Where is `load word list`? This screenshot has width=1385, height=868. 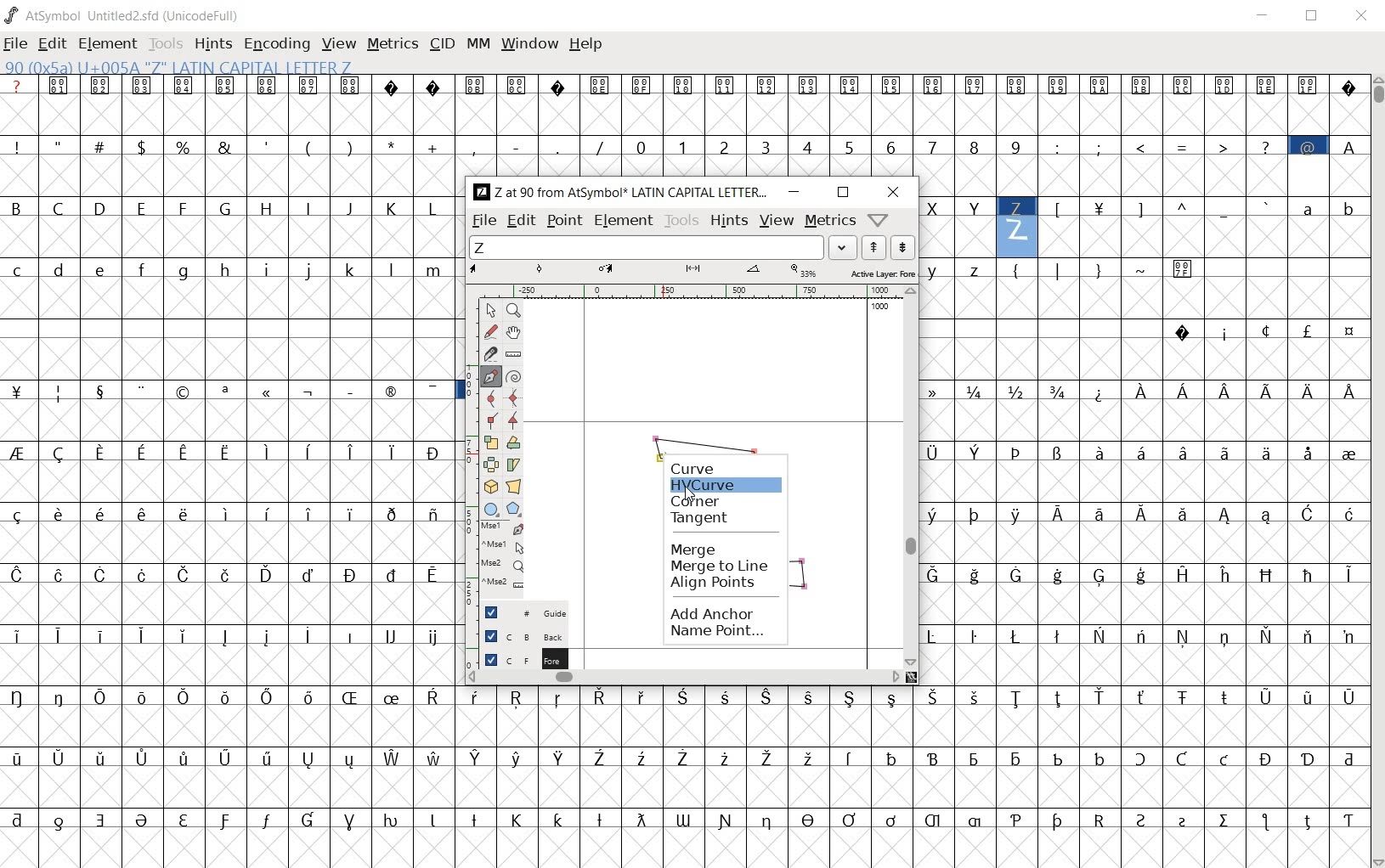
load word list is located at coordinates (665, 247).